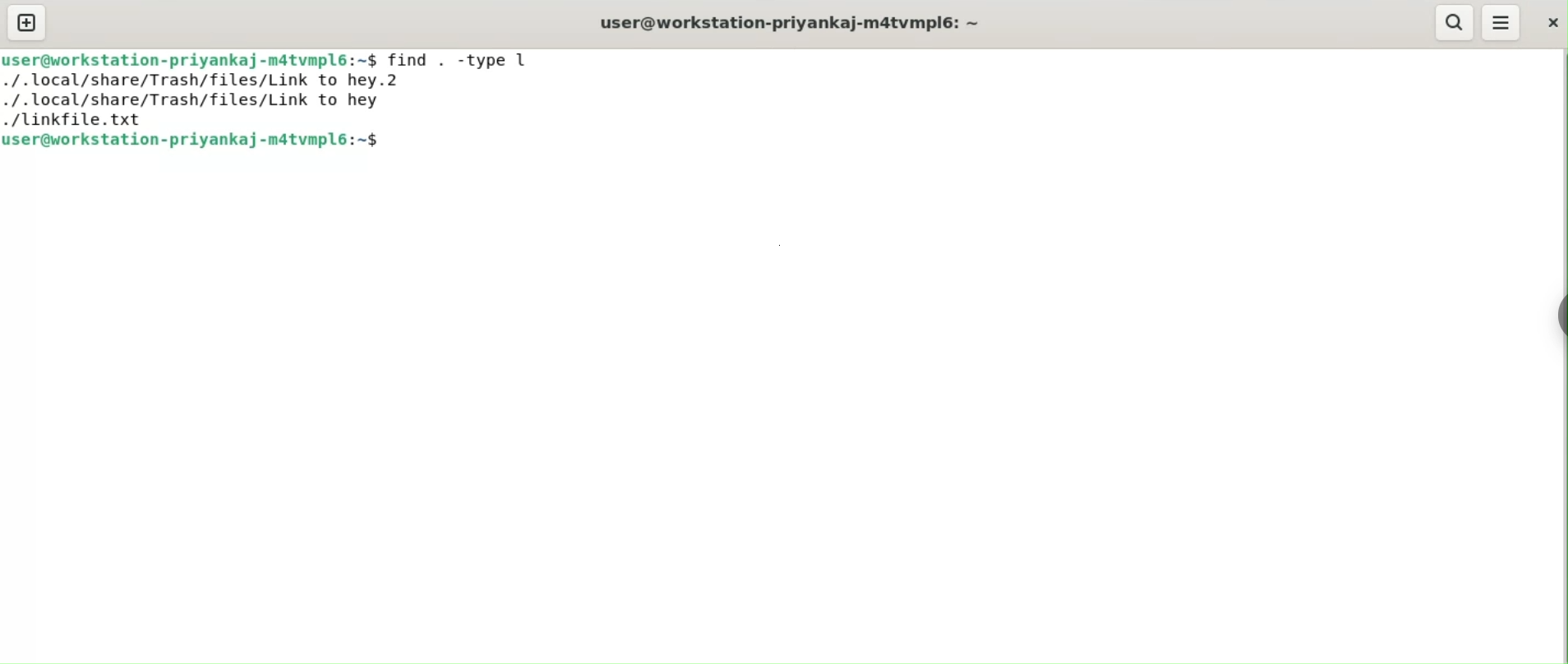 This screenshot has height=664, width=1568. What do you see at coordinates (28, 21) in the screenshot?
I see `new tab` at bounding box center [28, 21].